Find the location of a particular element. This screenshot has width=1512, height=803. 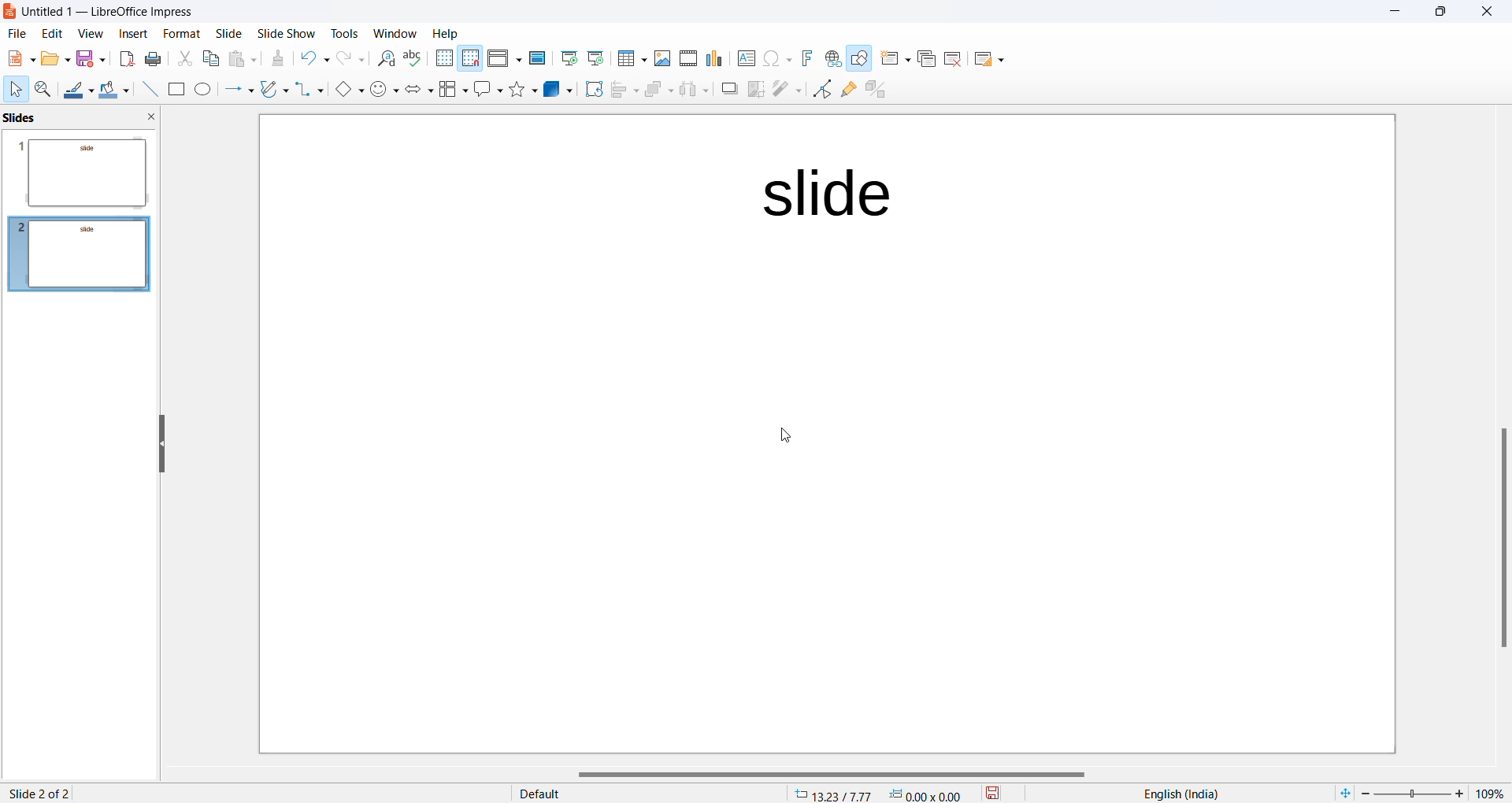

Rotate is located at coordinates (590, 91).